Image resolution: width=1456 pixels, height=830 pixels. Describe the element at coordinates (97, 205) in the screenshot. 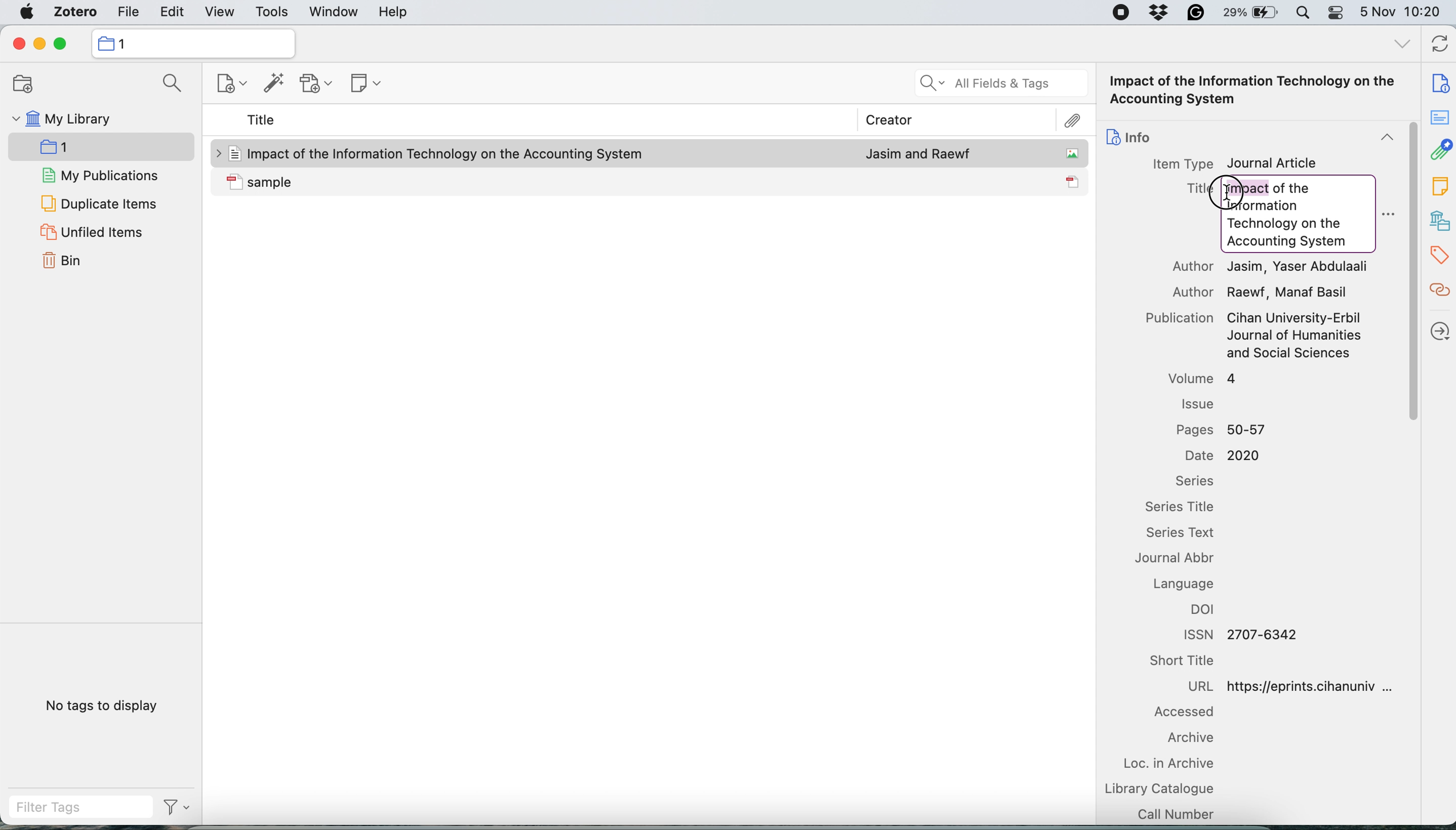

I see `duplicate items` at that location.